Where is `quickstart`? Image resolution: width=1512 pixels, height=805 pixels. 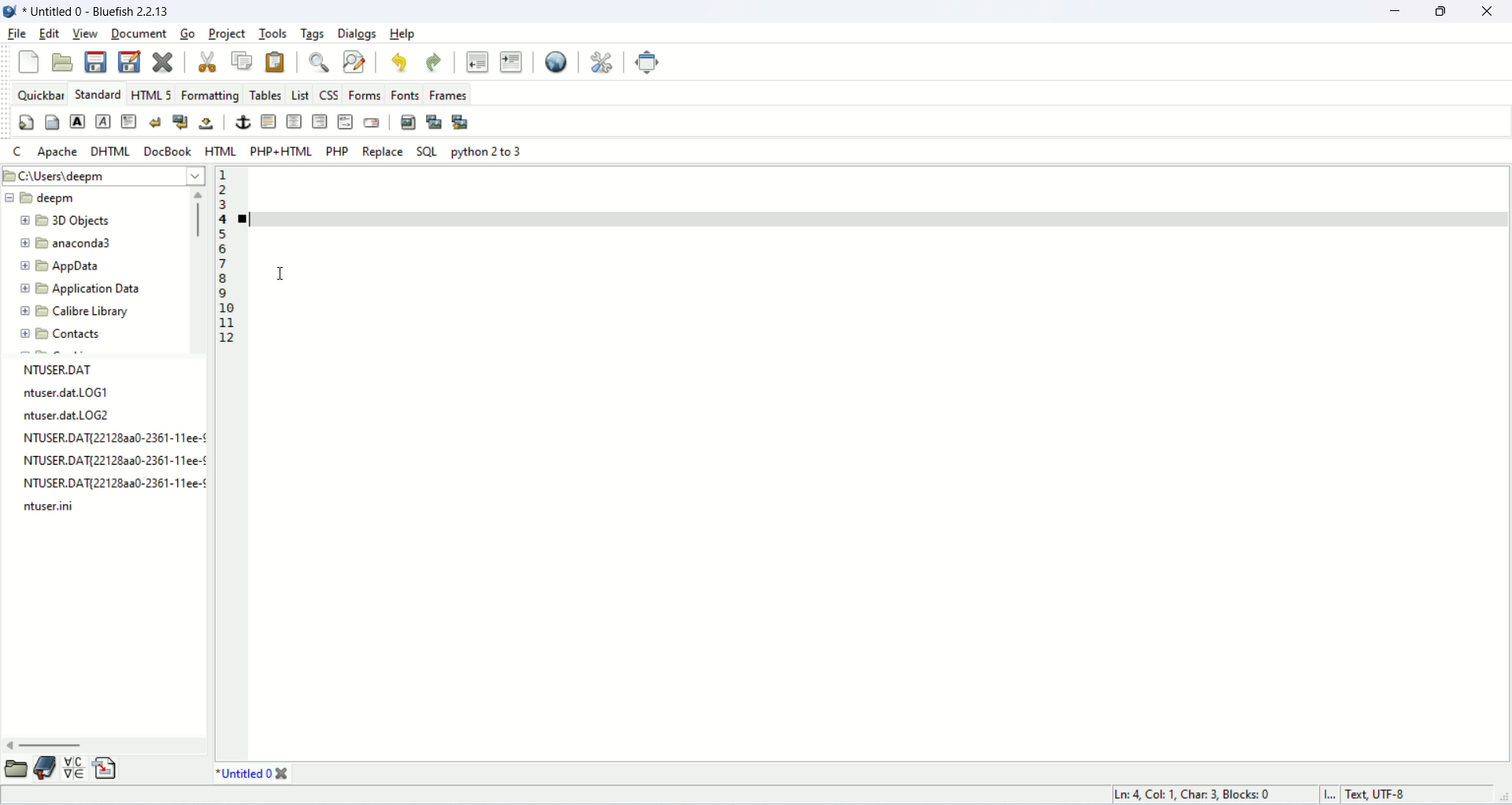 quickstart is located at coordinates (24, 124).